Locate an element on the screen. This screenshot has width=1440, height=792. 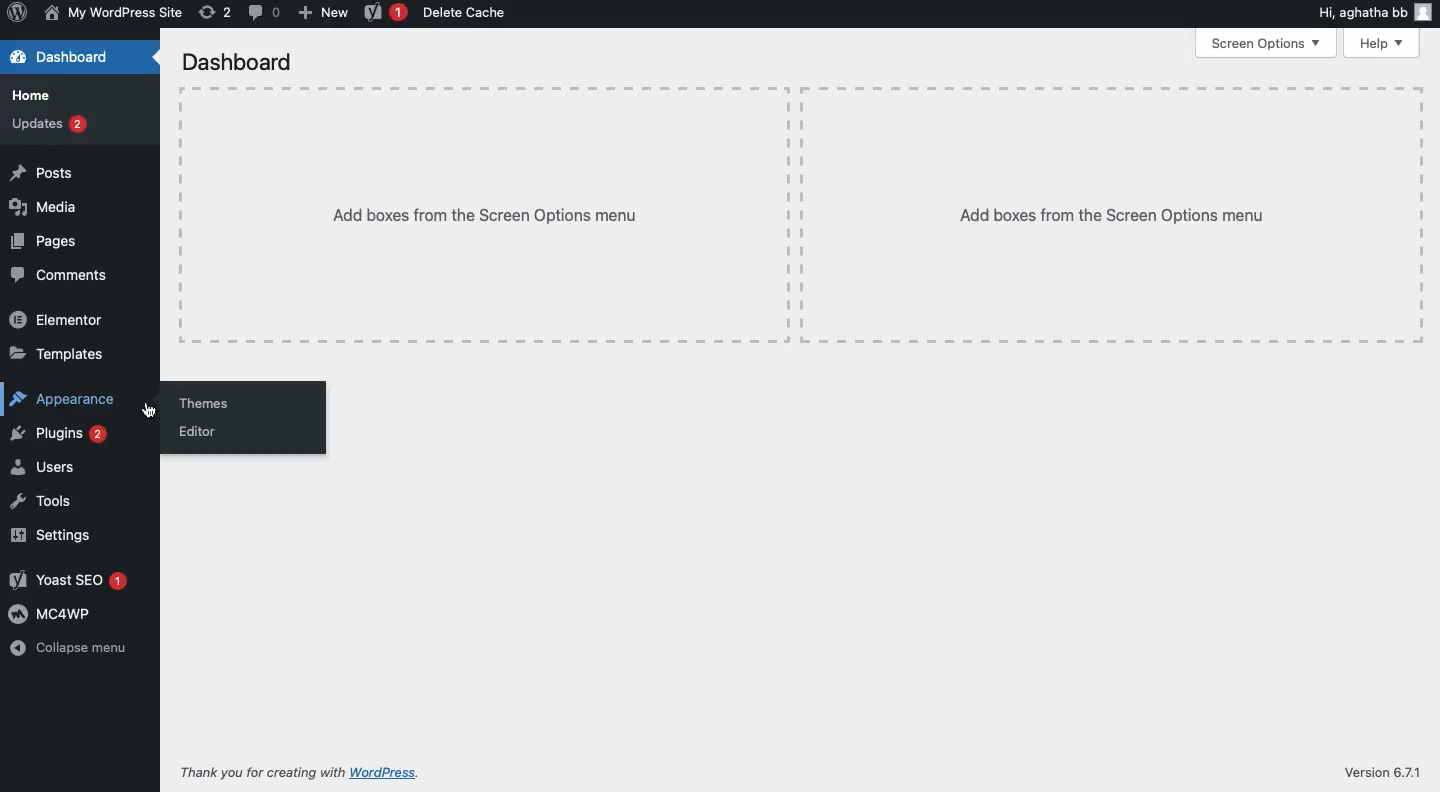
Users is located at coordinates (44, 469).